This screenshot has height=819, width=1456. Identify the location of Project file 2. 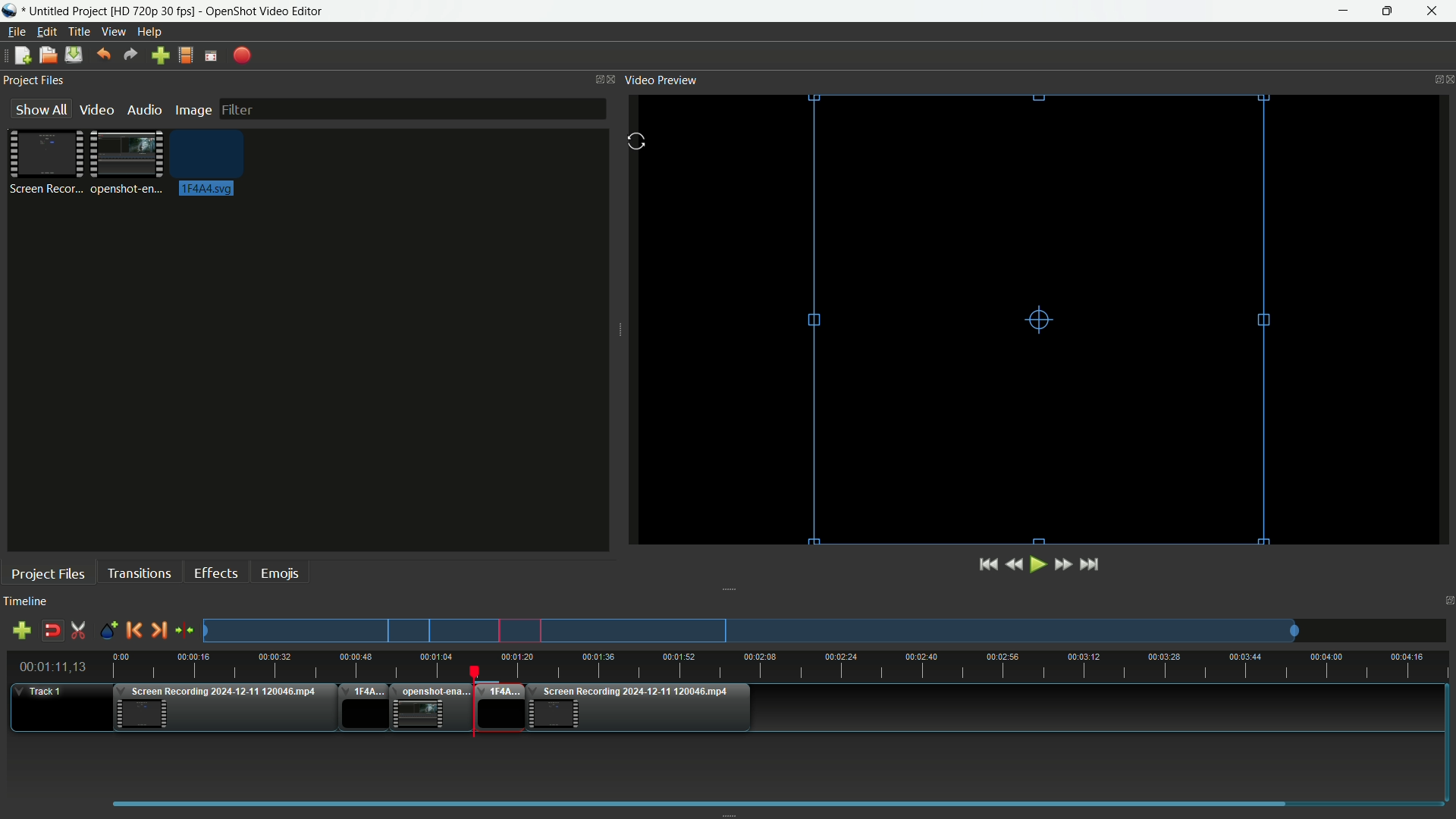
(124, 161).